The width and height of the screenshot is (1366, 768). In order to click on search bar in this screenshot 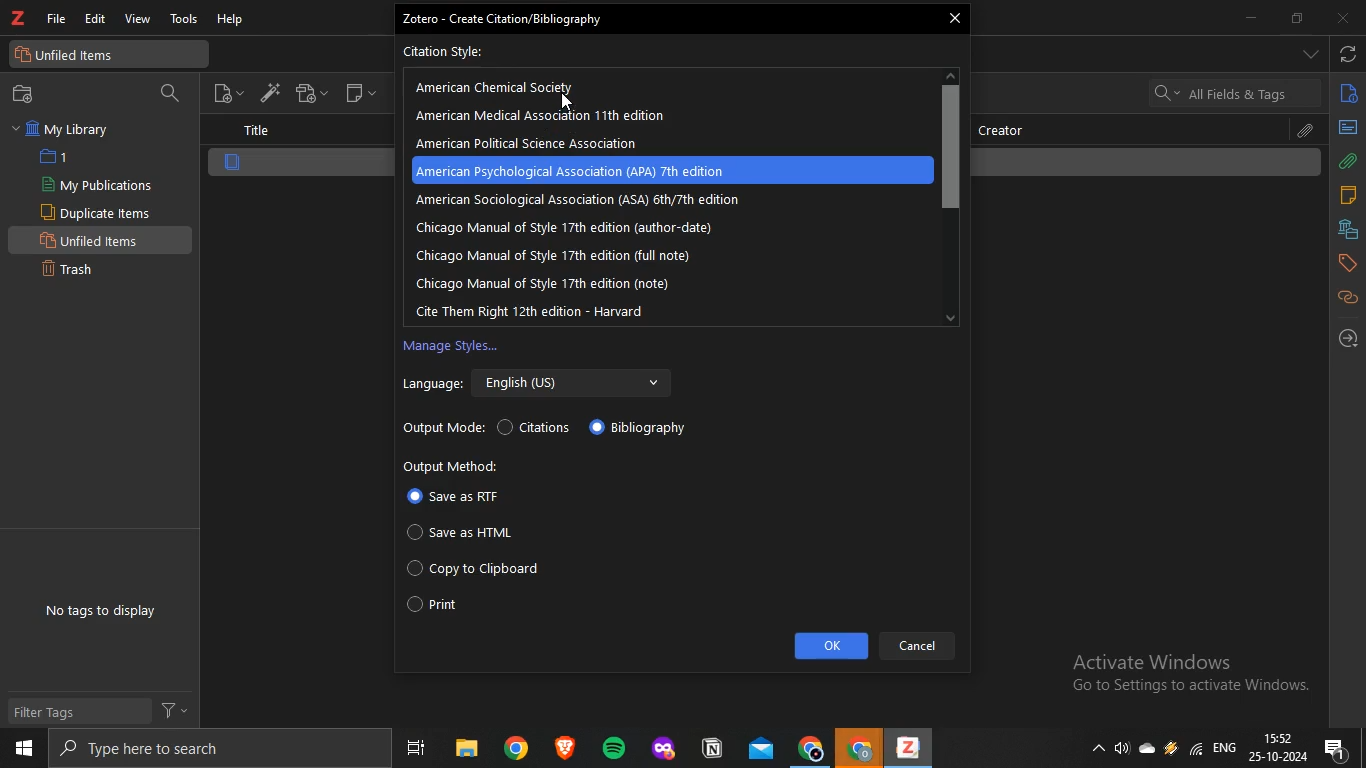, I will do `click(1234, 92)`.